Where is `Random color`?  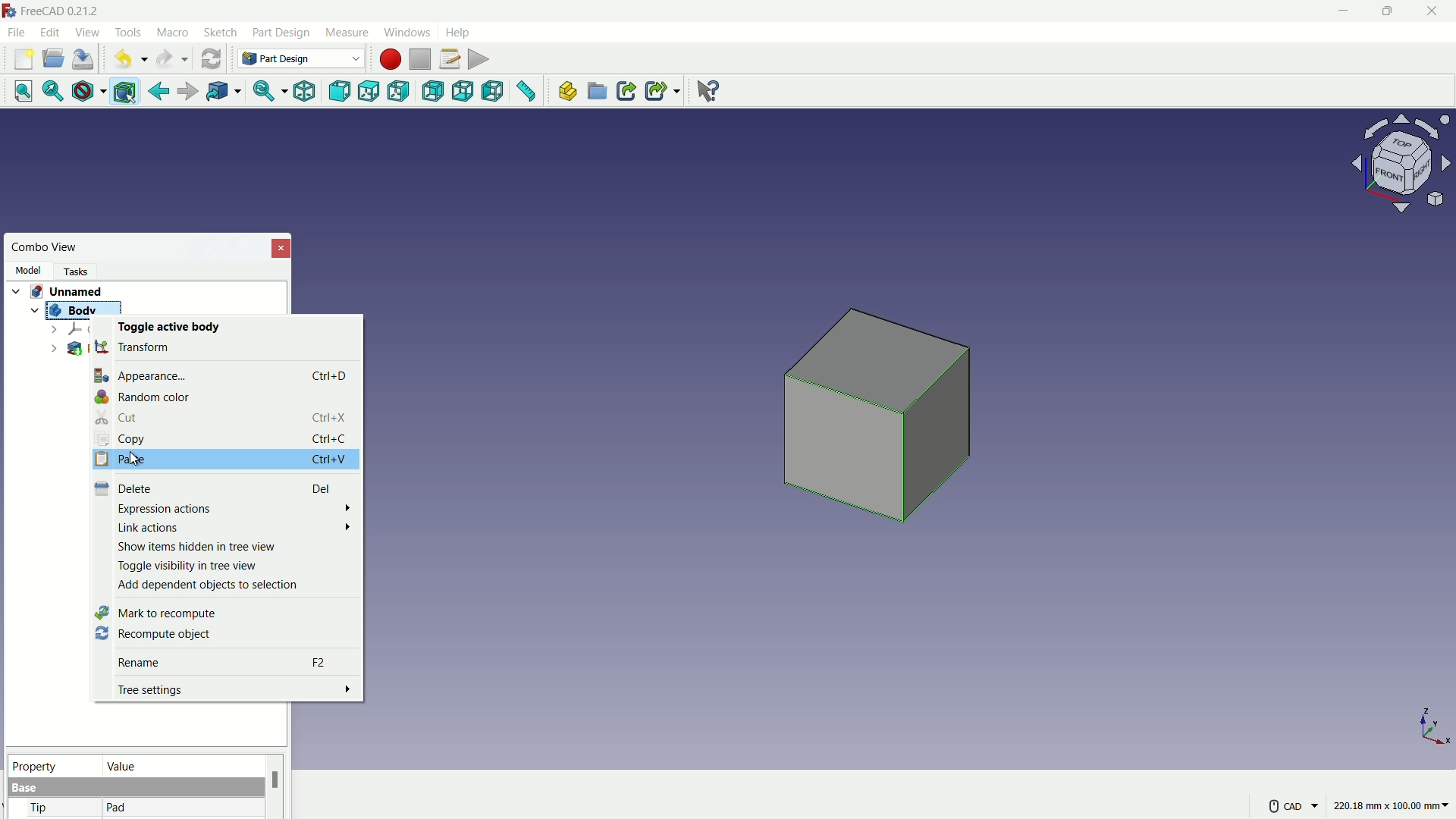
Random color is located at coordinates (142, 397).